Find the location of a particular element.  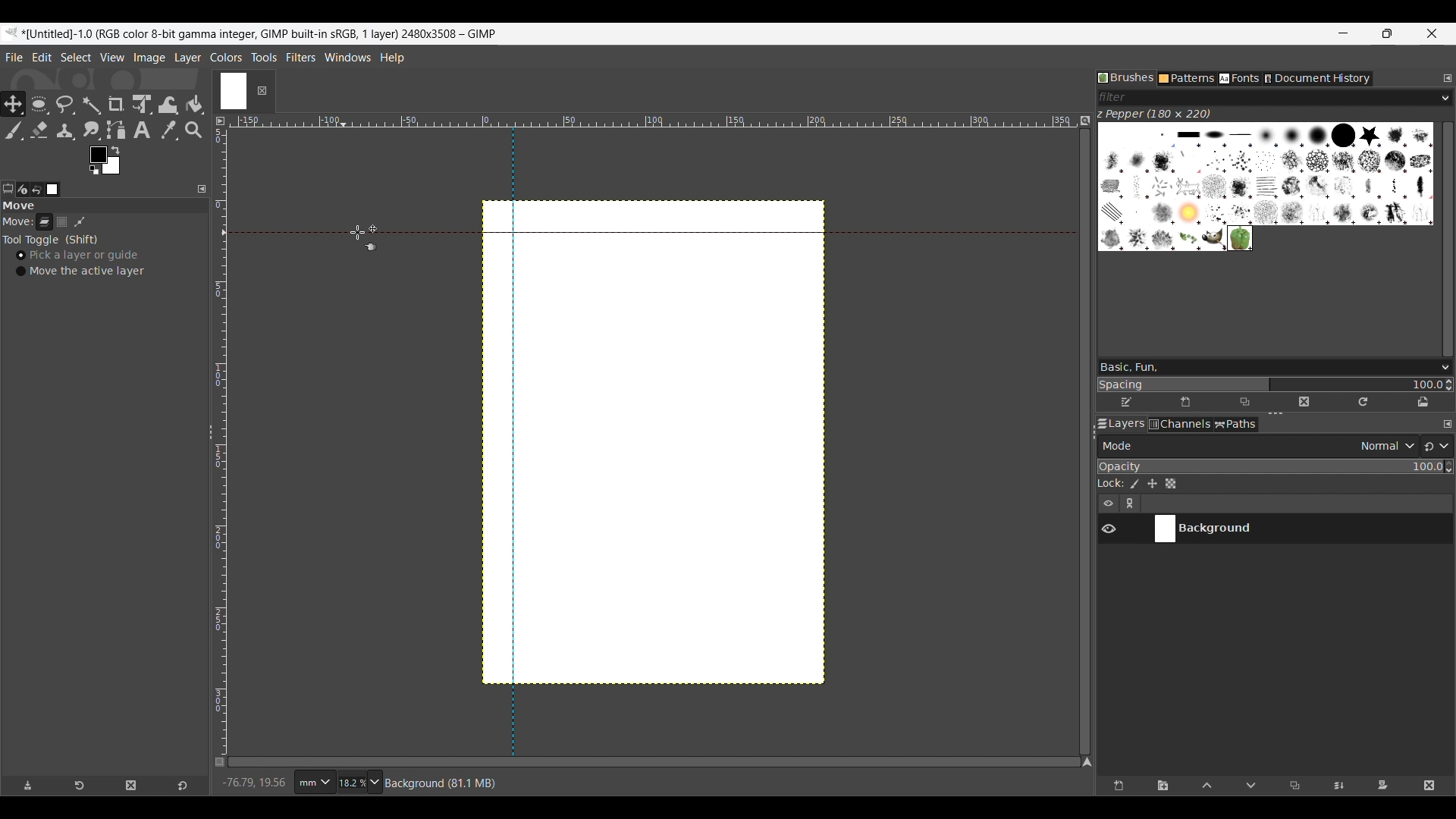

Ellipse select tool is located at coordinates (37, 104).